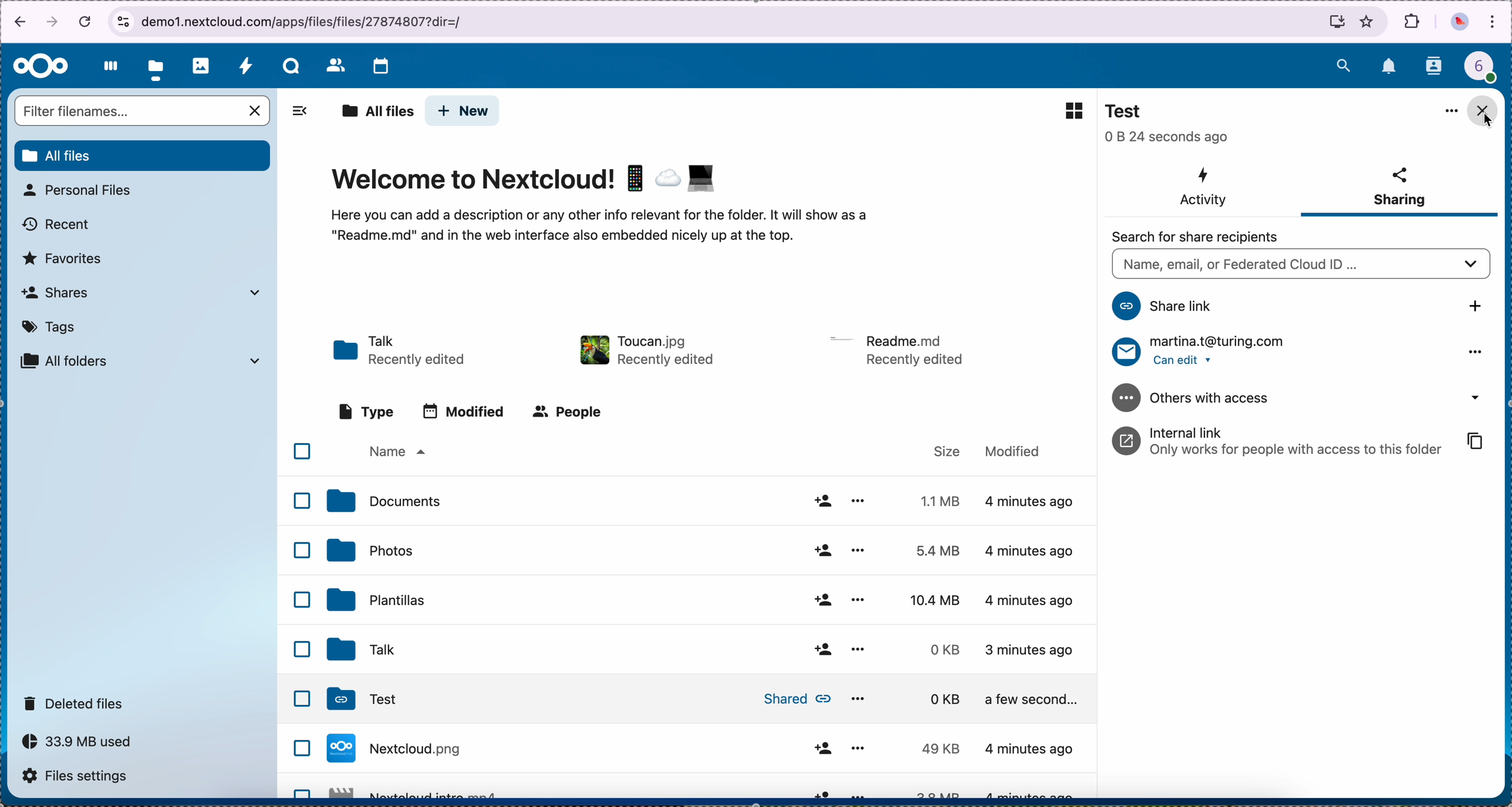 The height and width of the screenshot is (807, 1512). Describe the element at coordinates (245, 65) in the screenshot. I see `activity` at that location.